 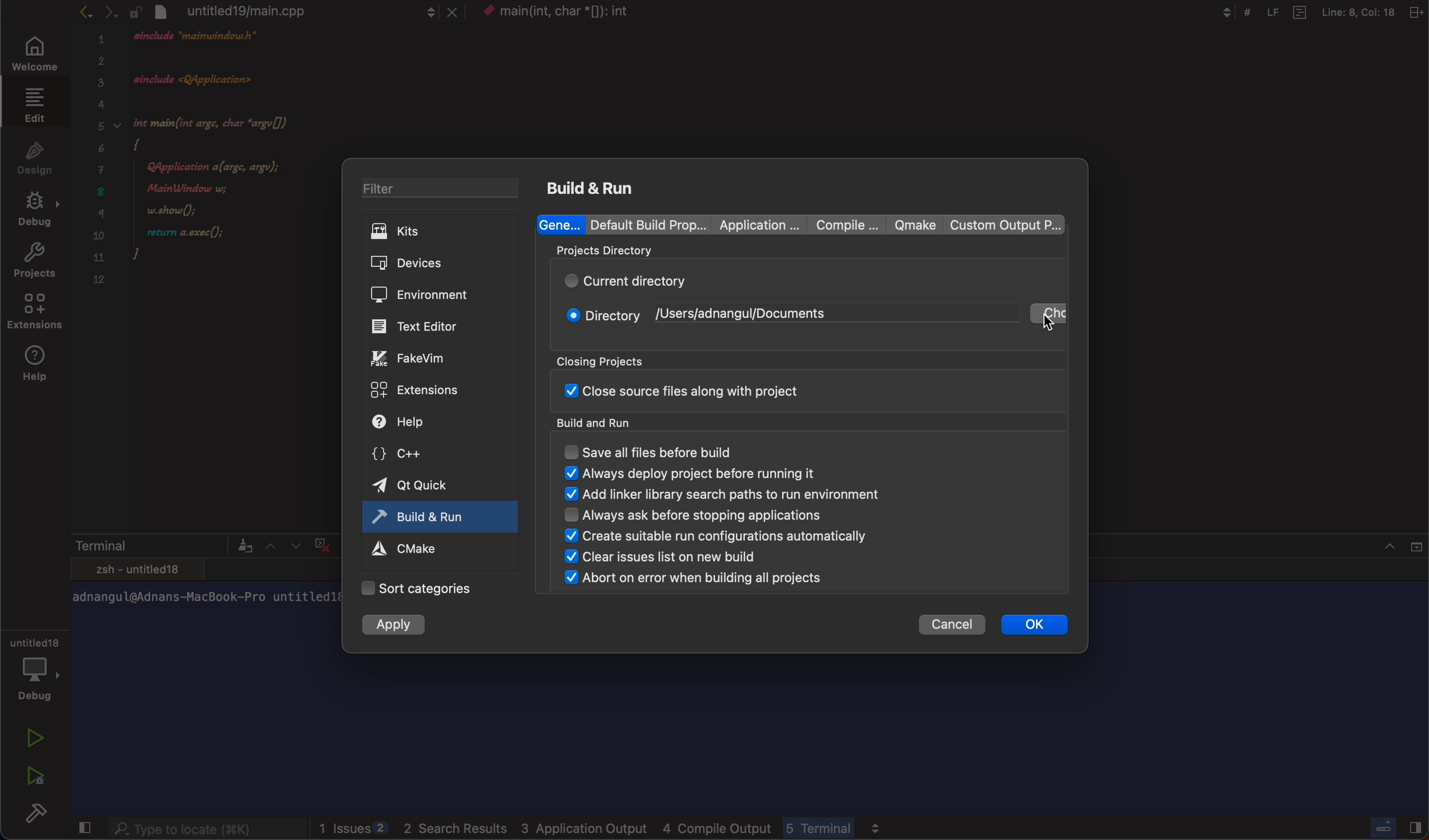 I want to click on cancel, so click(x=953, y=624).